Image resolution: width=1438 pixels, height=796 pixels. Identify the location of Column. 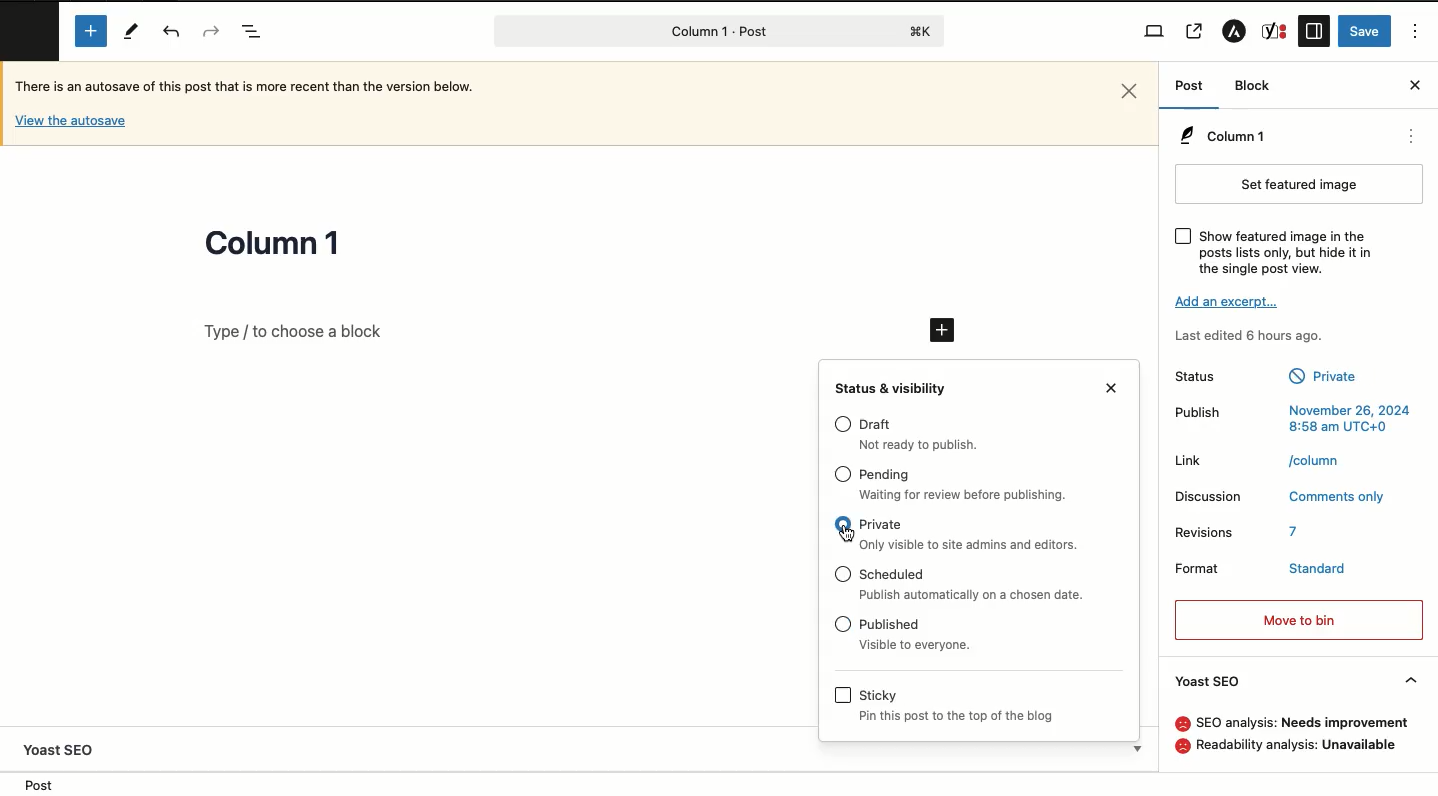
(1221, 137).